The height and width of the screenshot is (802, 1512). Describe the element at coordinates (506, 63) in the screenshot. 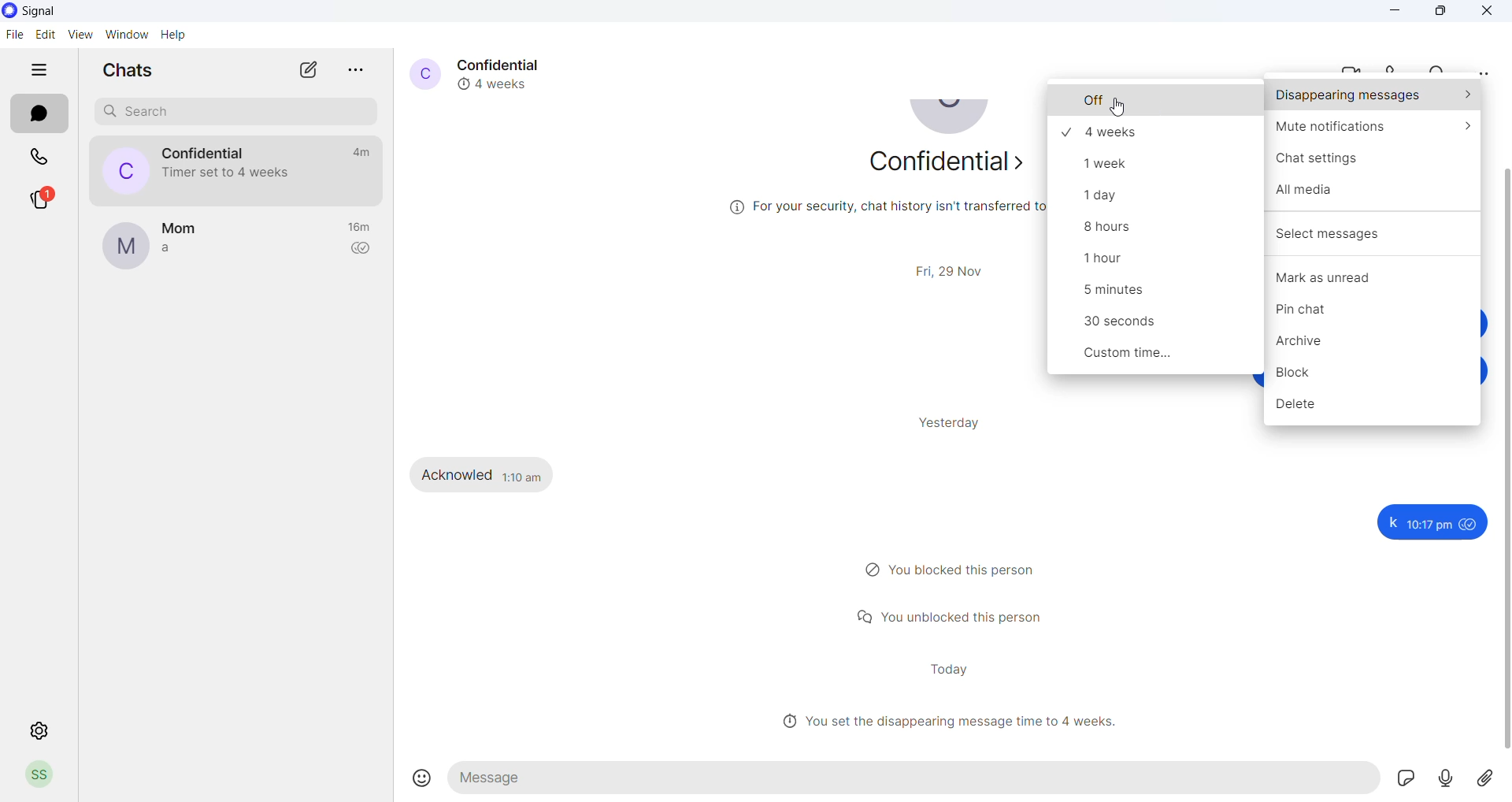

I see `contact name` at that location.